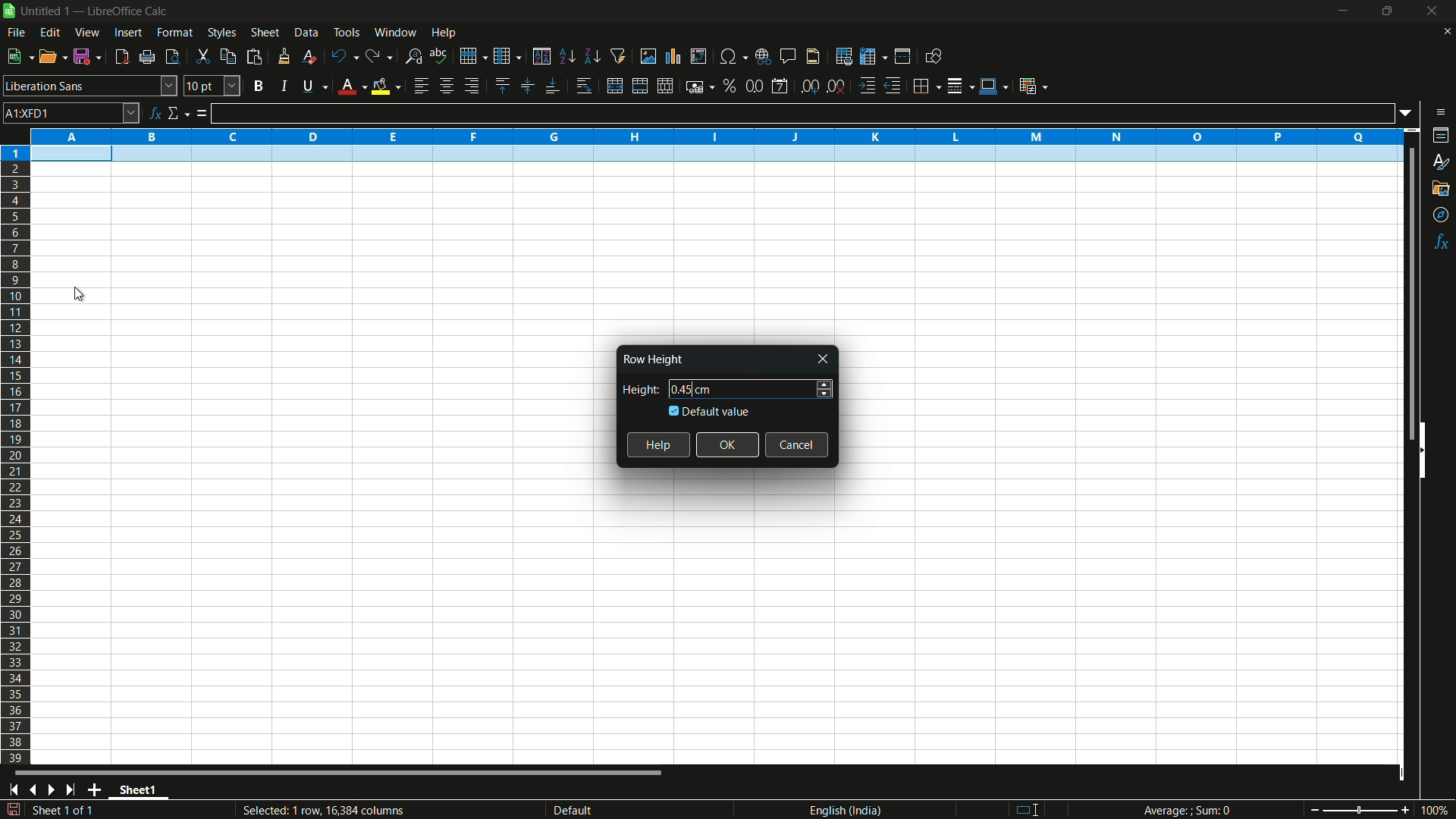 Image resolution: width=1456 pixels, height=819 pixels. What do you see at coordinates (648, 55) in the screenshot?
I see `insert image` at bounding box center [648, 55].